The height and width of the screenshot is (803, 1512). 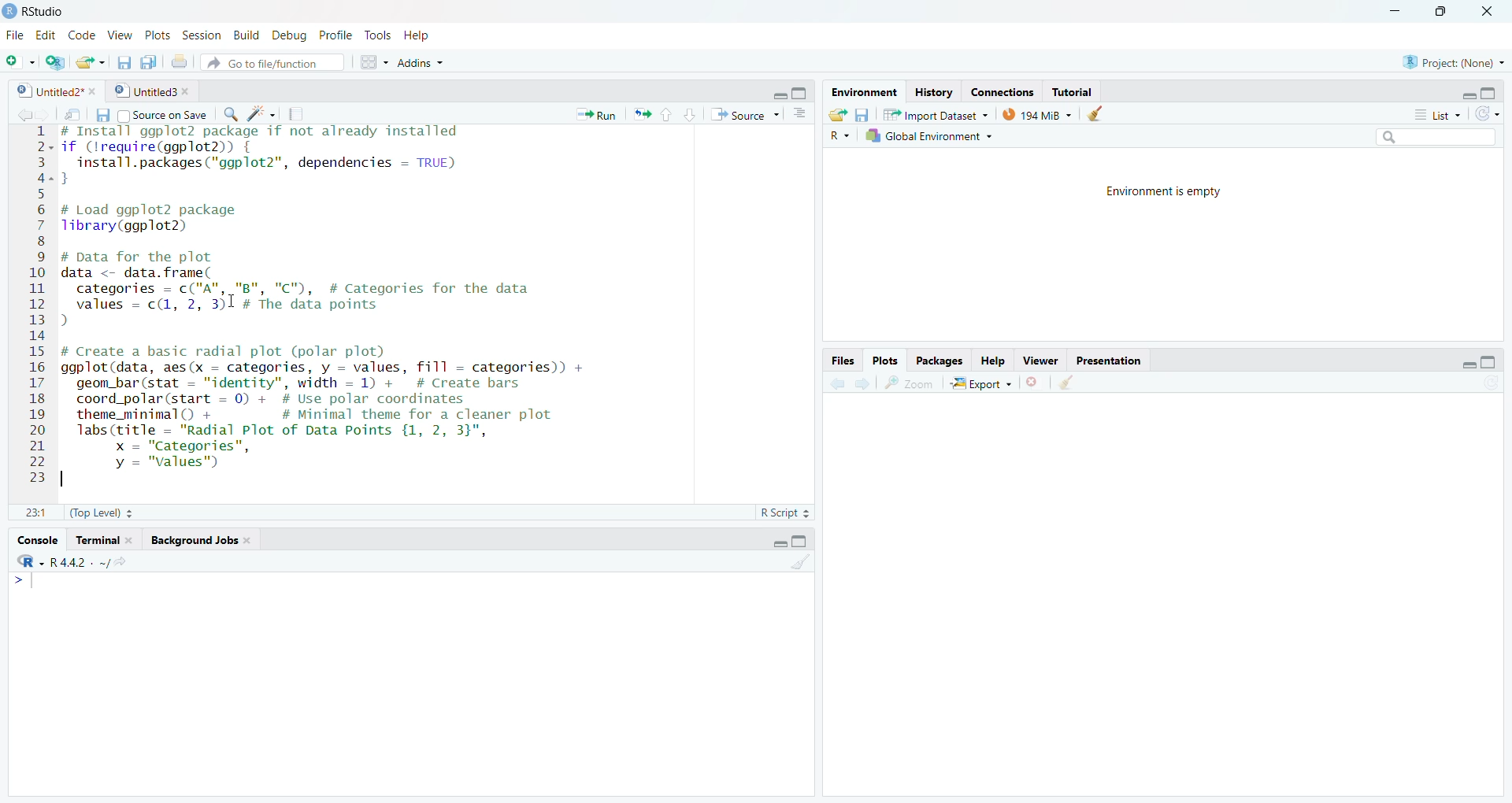 What do you see at coordinates (776, 543) in the screenshot?
I see `Minimize` at bounding box center [776, 543].